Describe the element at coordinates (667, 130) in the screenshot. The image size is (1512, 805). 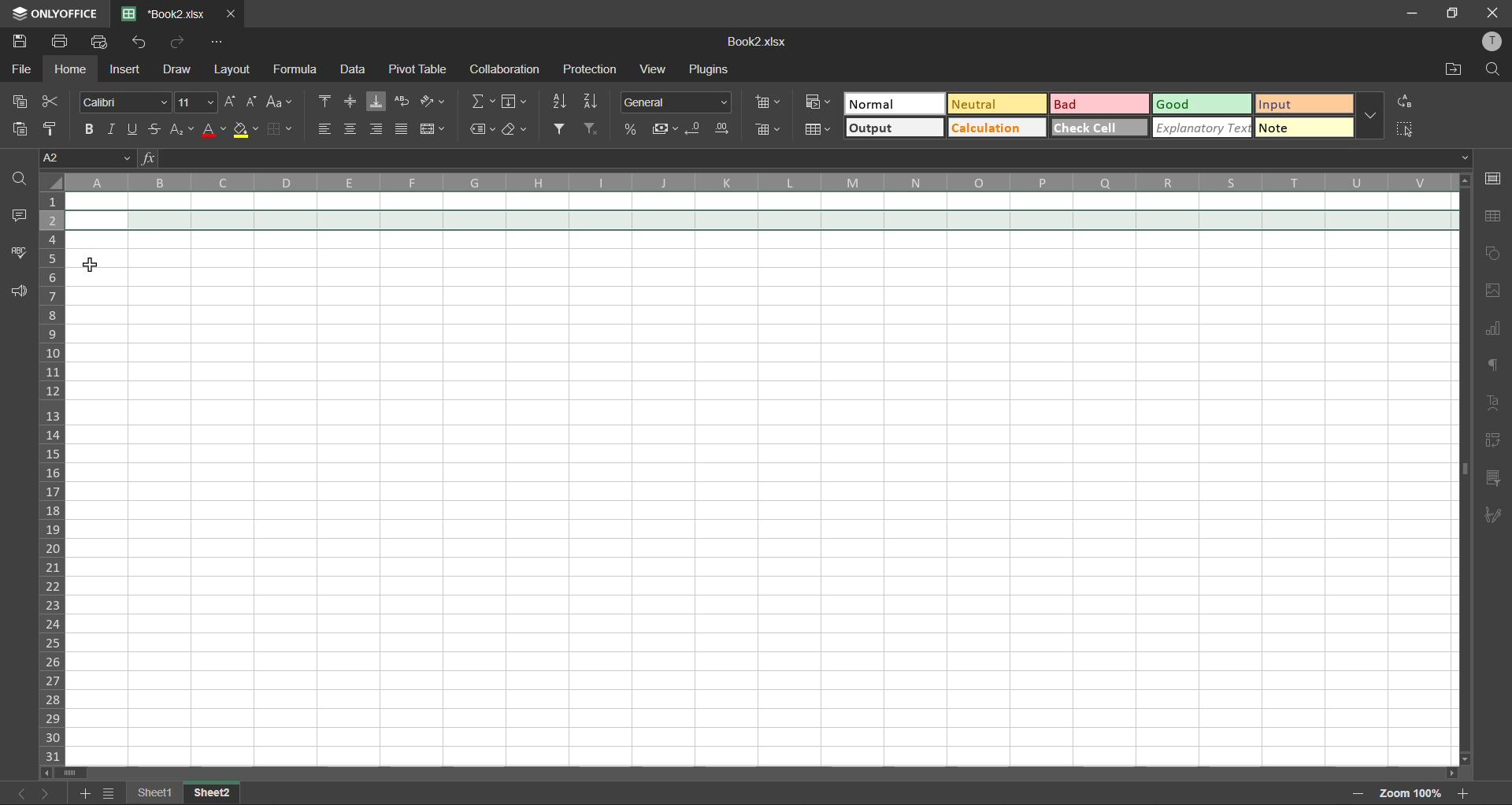
I see `accounting` at that location.